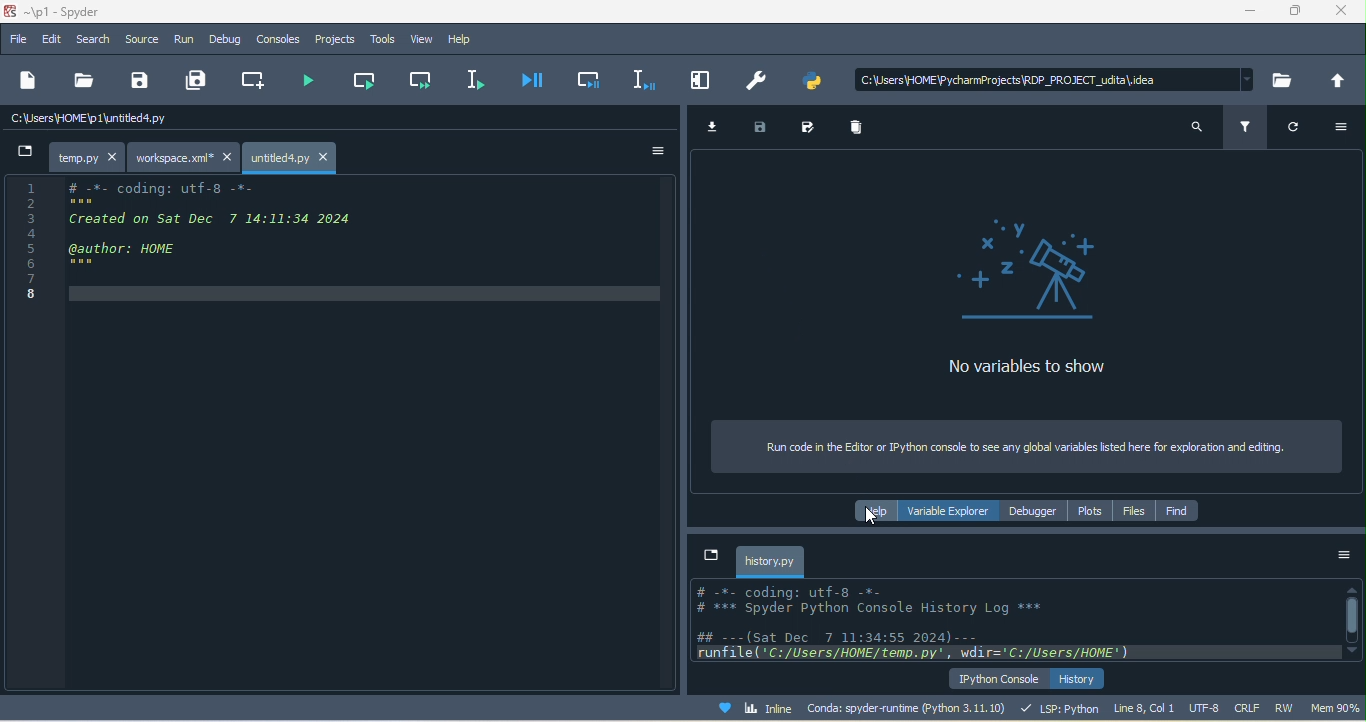 This screenshot has width=1366, height=722. Describe the element at coordinates (1035, 513) in the screenshot. I see `debugger` at that location.